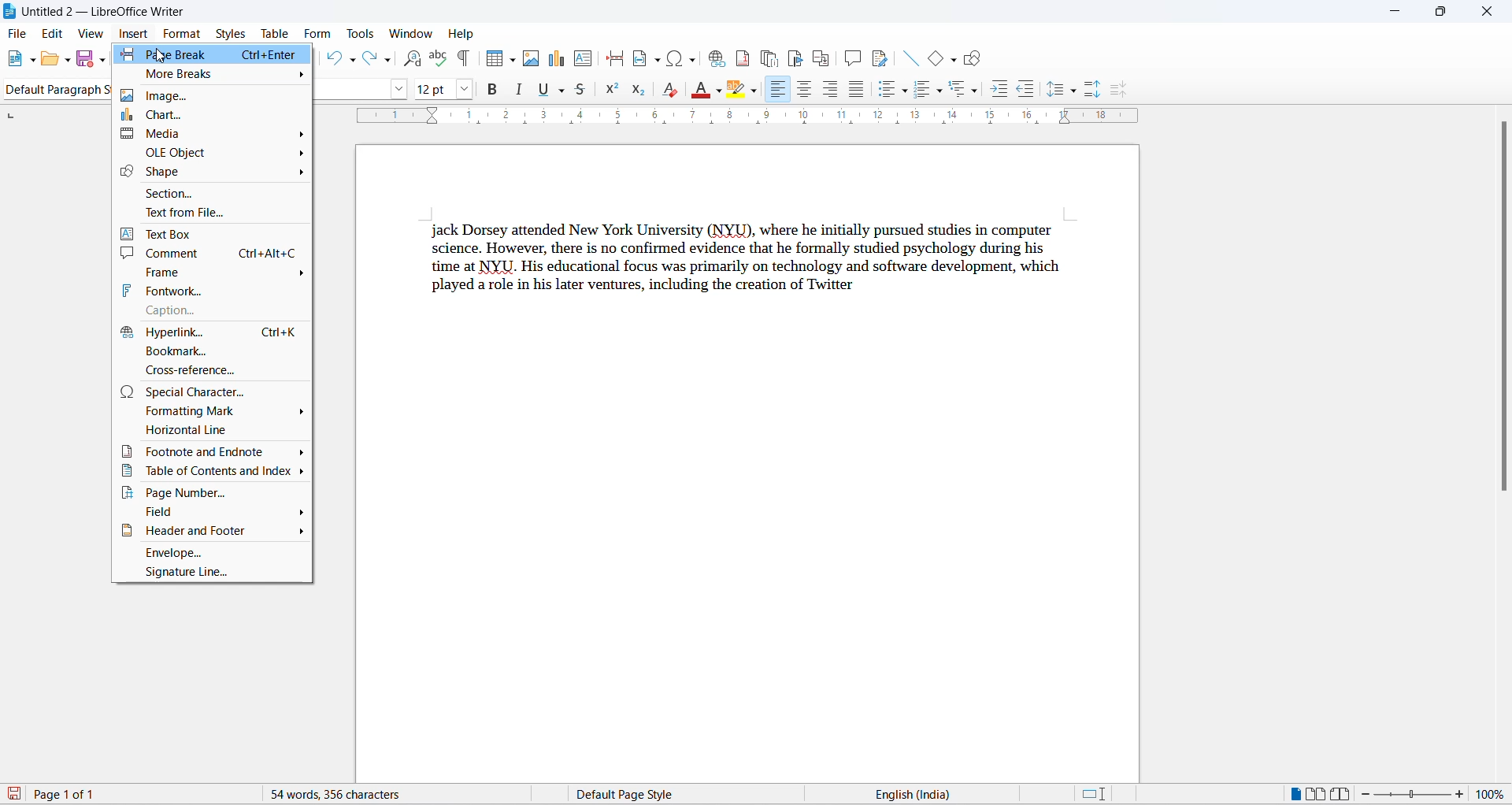 The image size is (1512, 805). I want to click on spelling, so click(439, 57).